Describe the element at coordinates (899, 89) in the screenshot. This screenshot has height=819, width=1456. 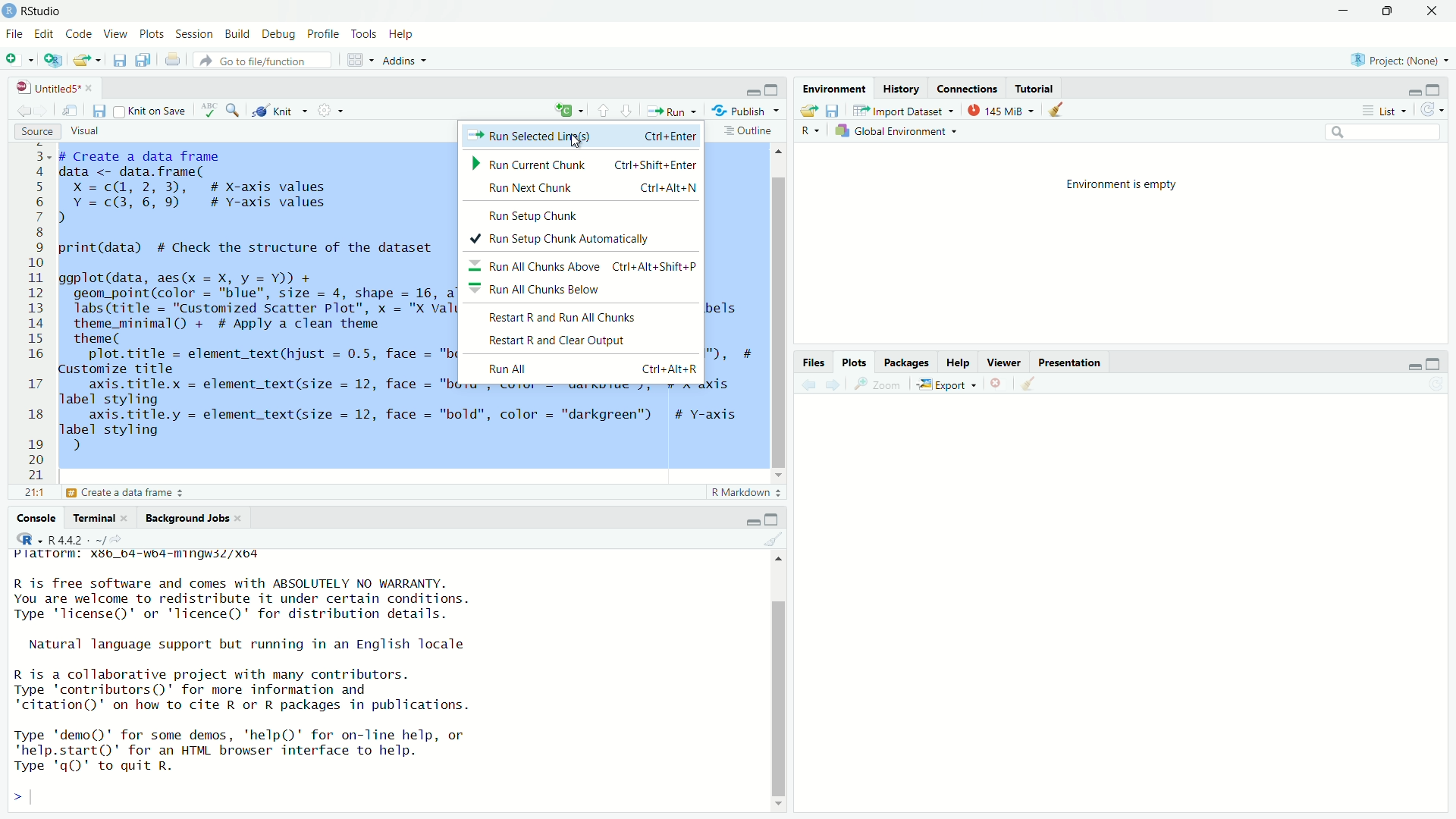
I see `History` at that location.